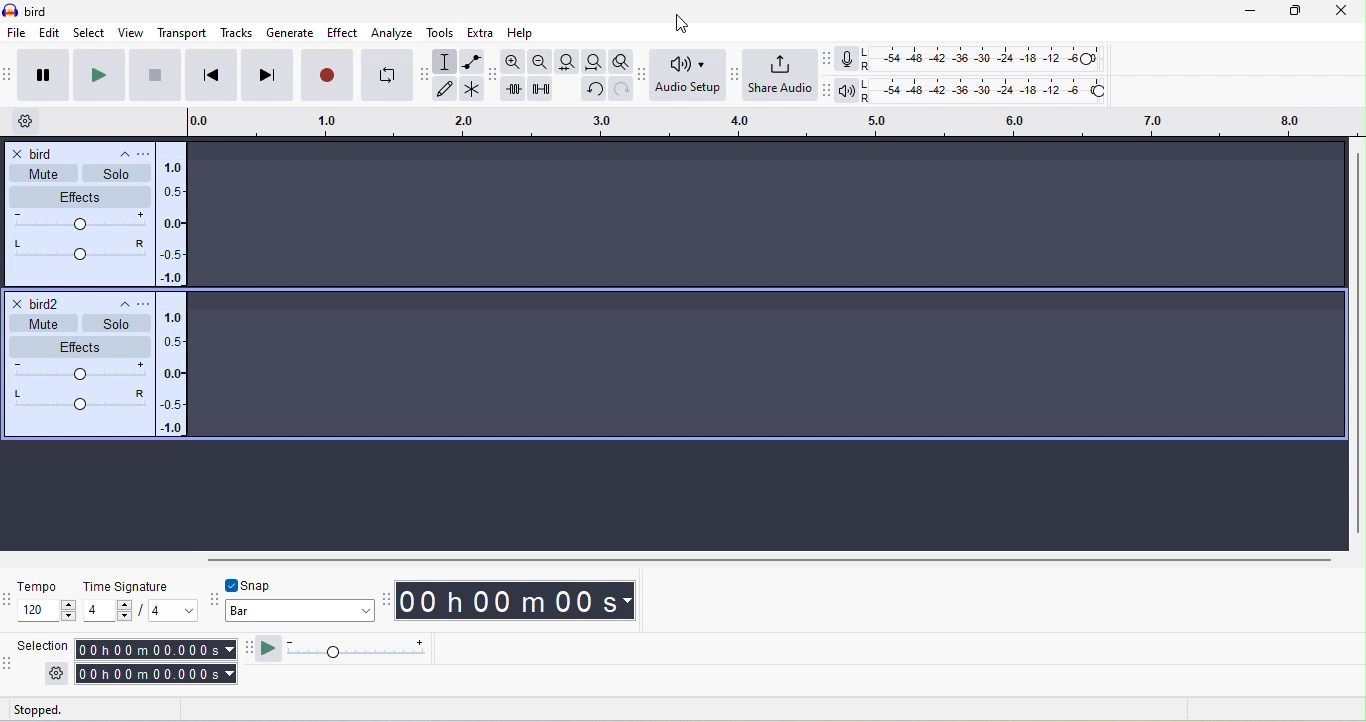 The width and height of the screenshot is (1366, 722). What do you see at coordinates (256, 585) in the screenshot?
I see `snap` at bounding box center [256, 585].